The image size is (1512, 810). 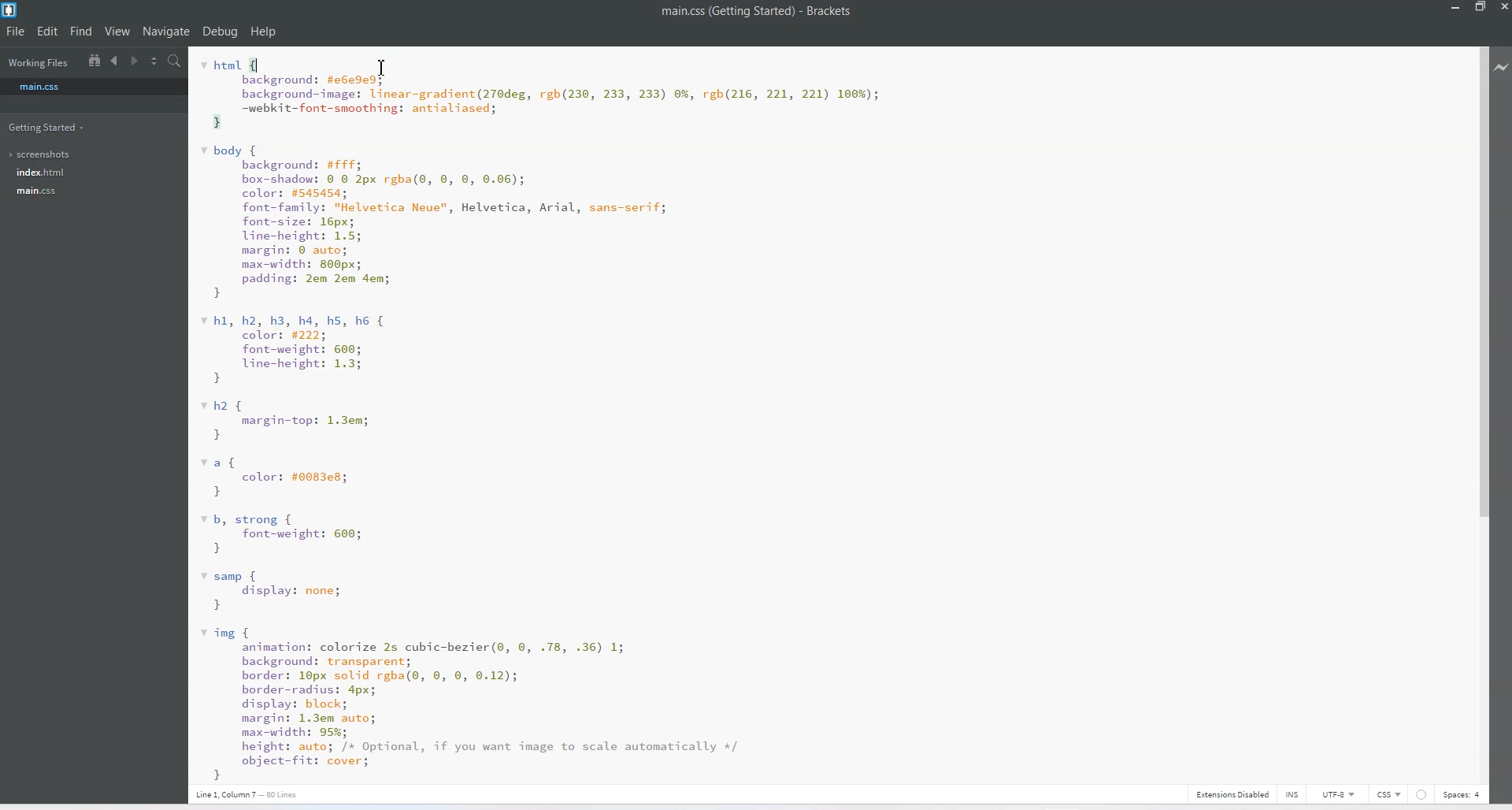 What do you see at coordinates (383, 68) in the screenshot?
I see `Text Cursor` at bounding box center [383, 68].